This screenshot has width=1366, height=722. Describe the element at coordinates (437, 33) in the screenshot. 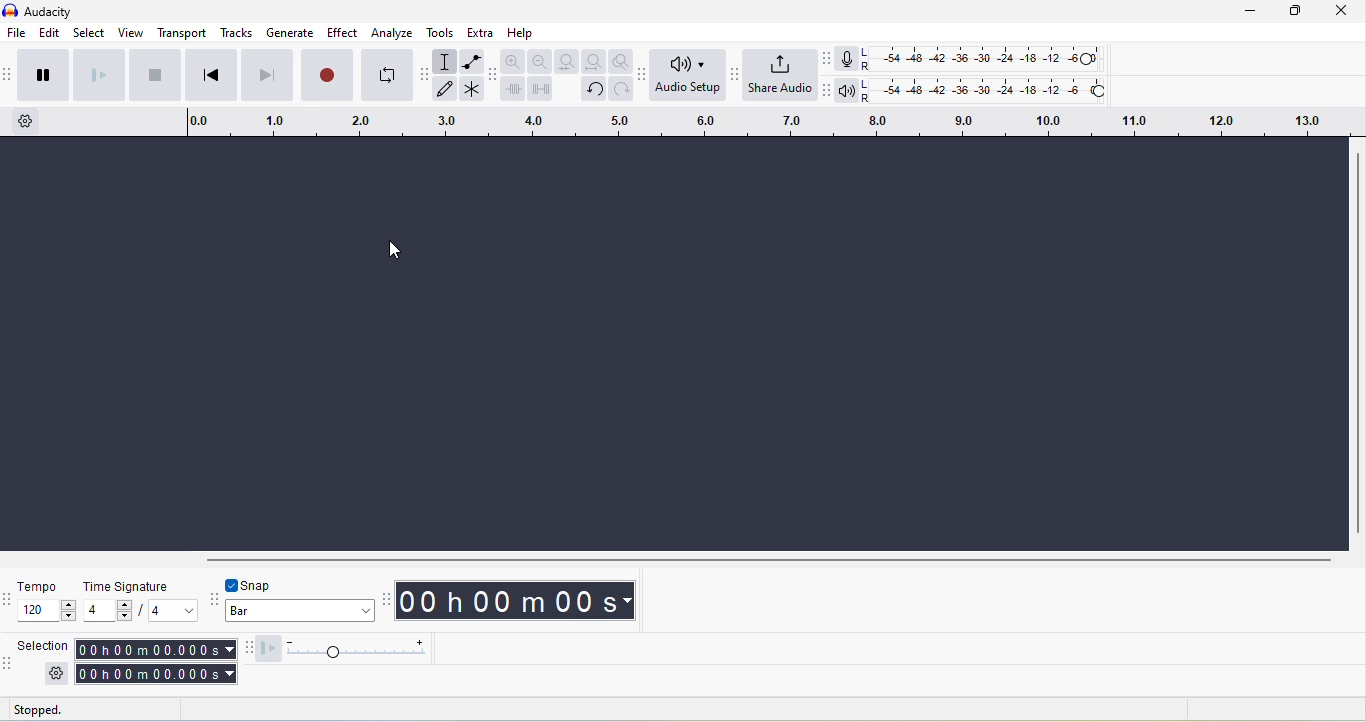

I see `tools` at that location.